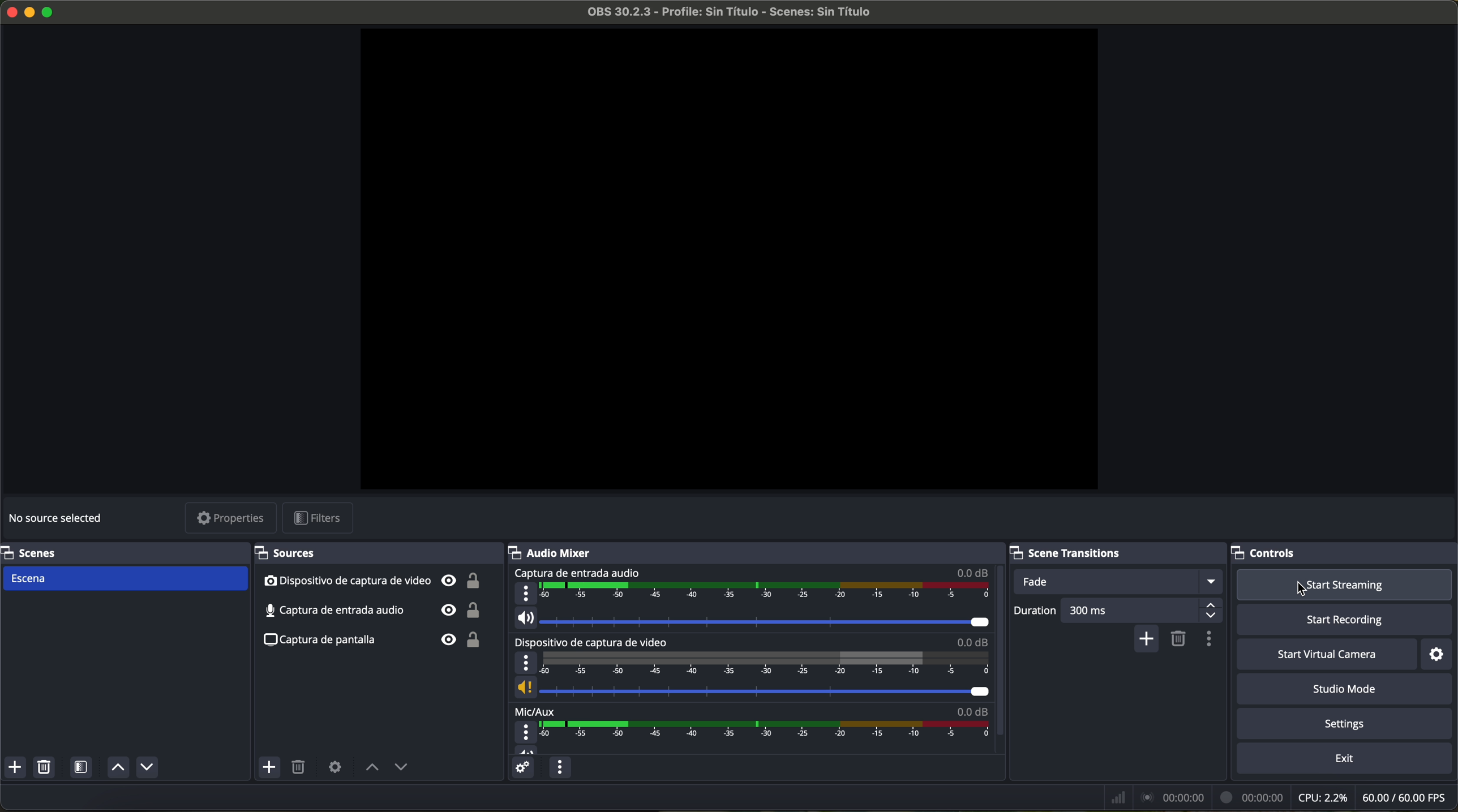  What do you see at coordinates (757, 552) in the screenshot?
I see `audio mixer` at bounding box center [757, 552].